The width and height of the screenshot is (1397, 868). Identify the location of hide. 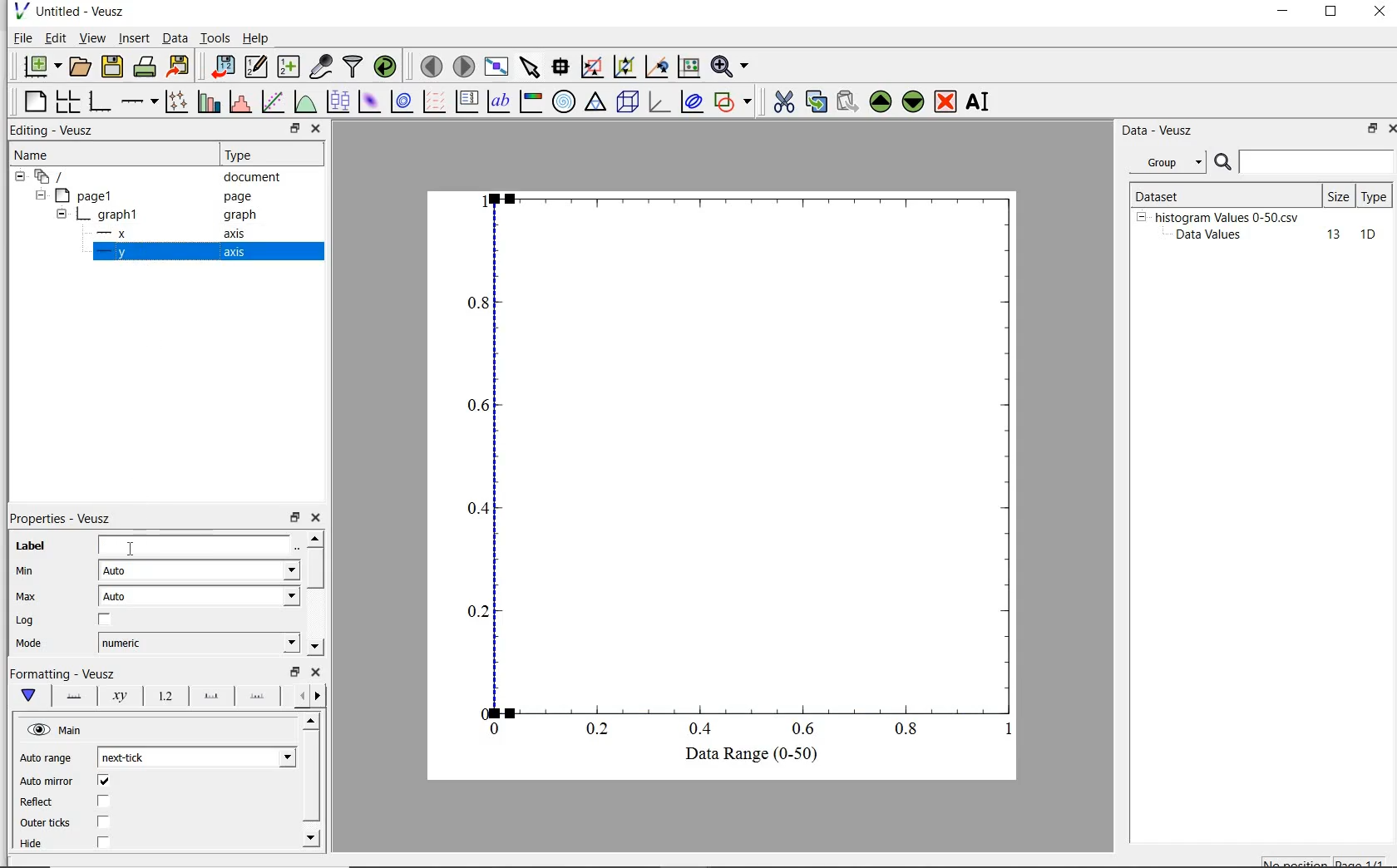
(39, 195).